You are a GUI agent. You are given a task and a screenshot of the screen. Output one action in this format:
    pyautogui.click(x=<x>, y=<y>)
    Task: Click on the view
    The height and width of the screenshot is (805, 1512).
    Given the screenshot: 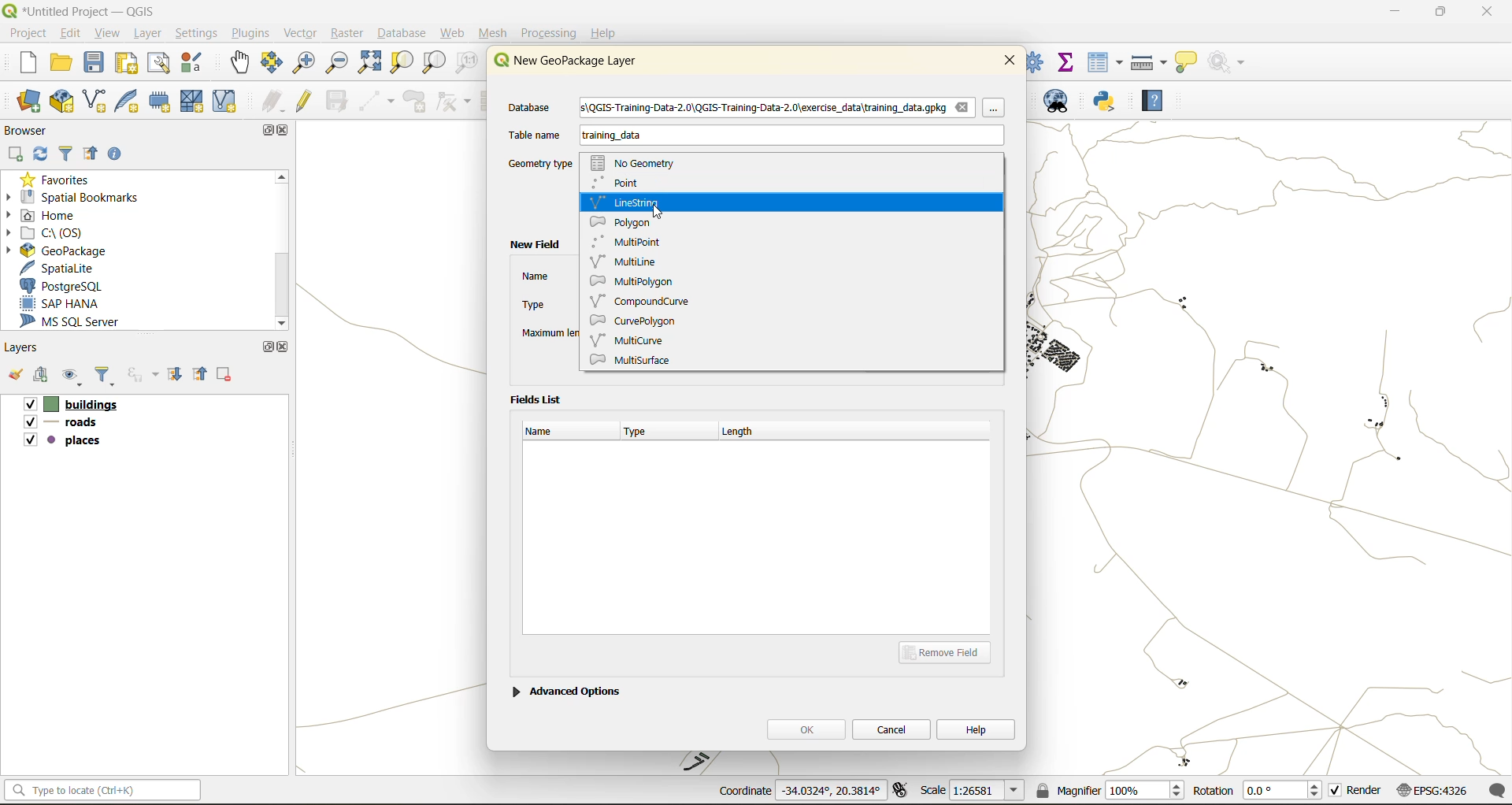 What is the action you would take?
    pyautogui.click(x=109, y=32)
    